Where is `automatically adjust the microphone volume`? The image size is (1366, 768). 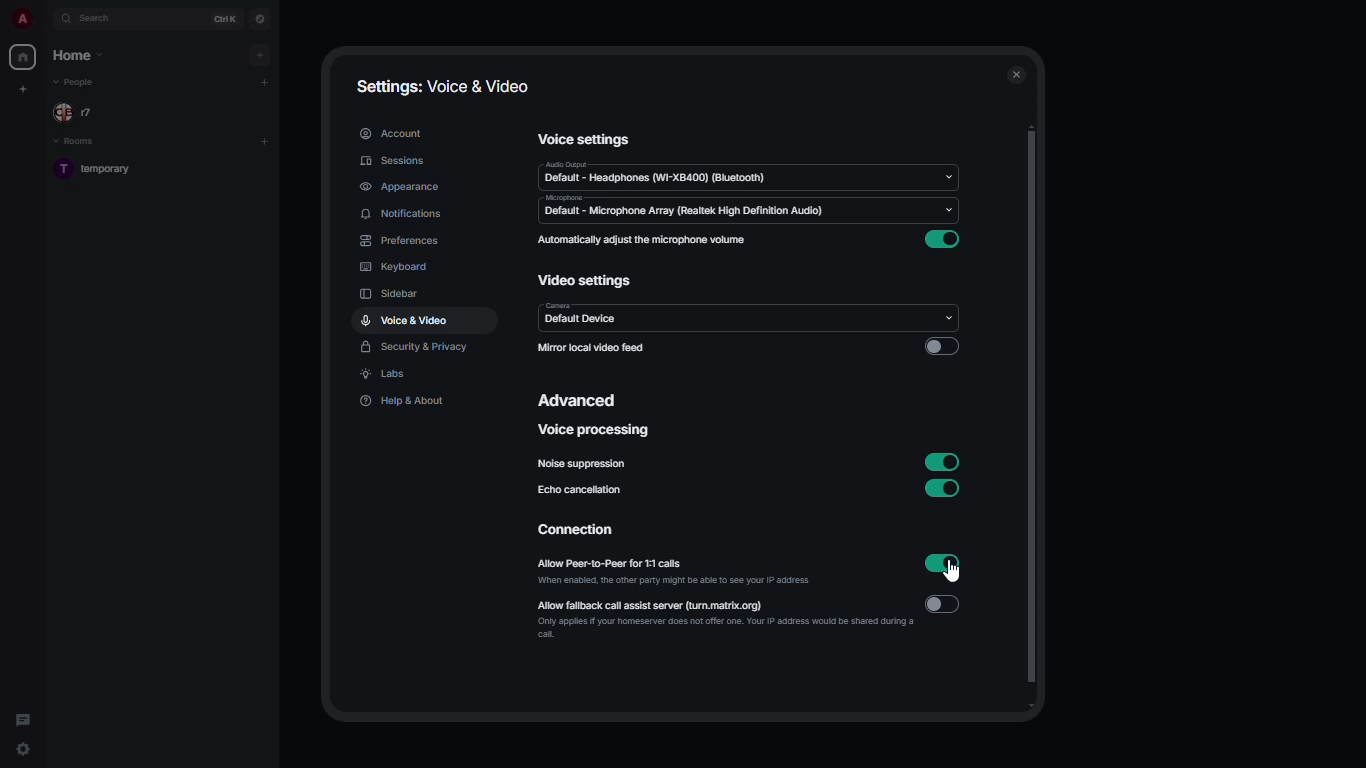 automatically adjust the microphone volume is located at coordinates (640, 240).